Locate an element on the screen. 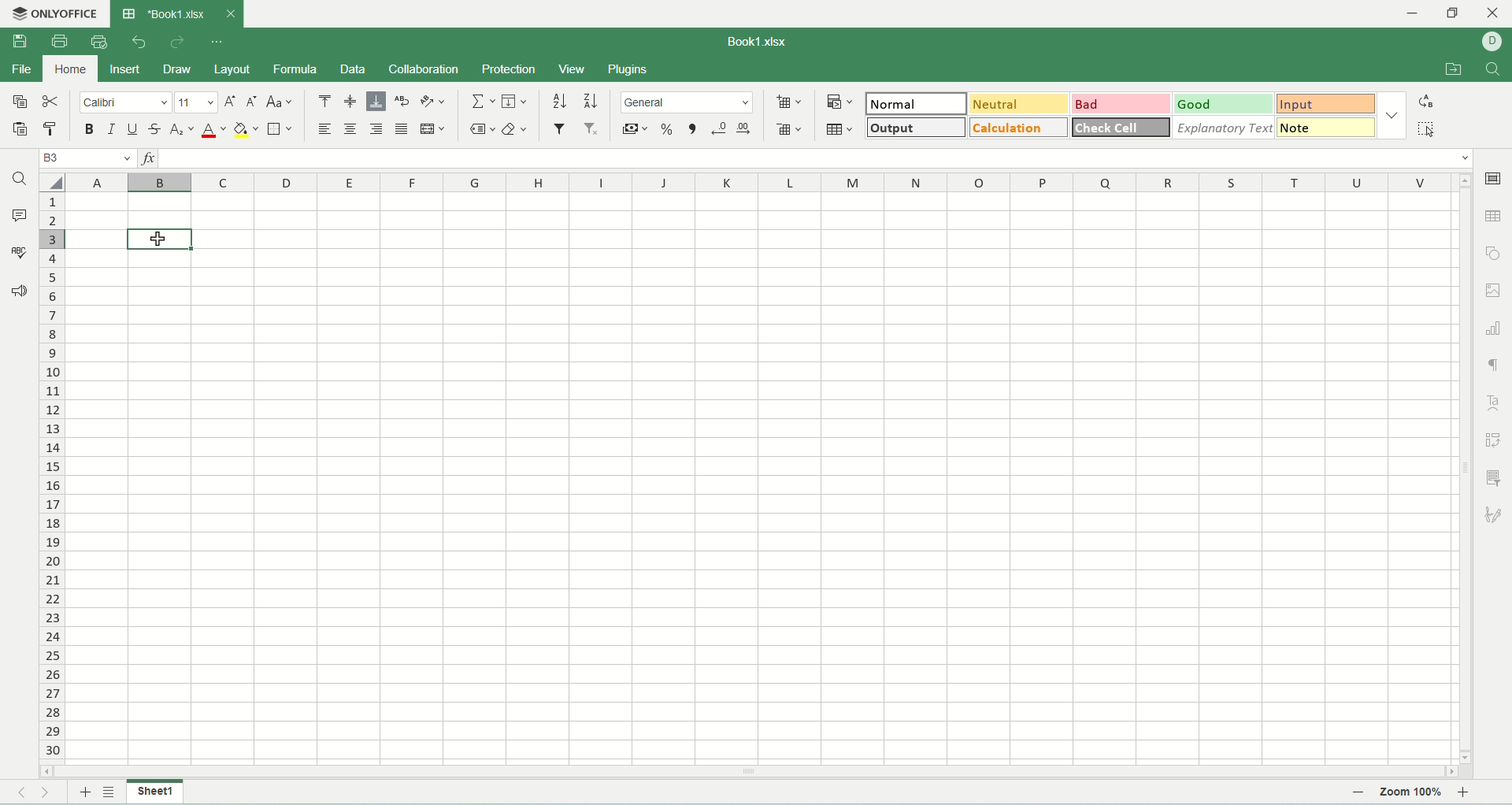 The width and height of the screenshot is (1512, 805). font size is located at coordinates (197, 102).